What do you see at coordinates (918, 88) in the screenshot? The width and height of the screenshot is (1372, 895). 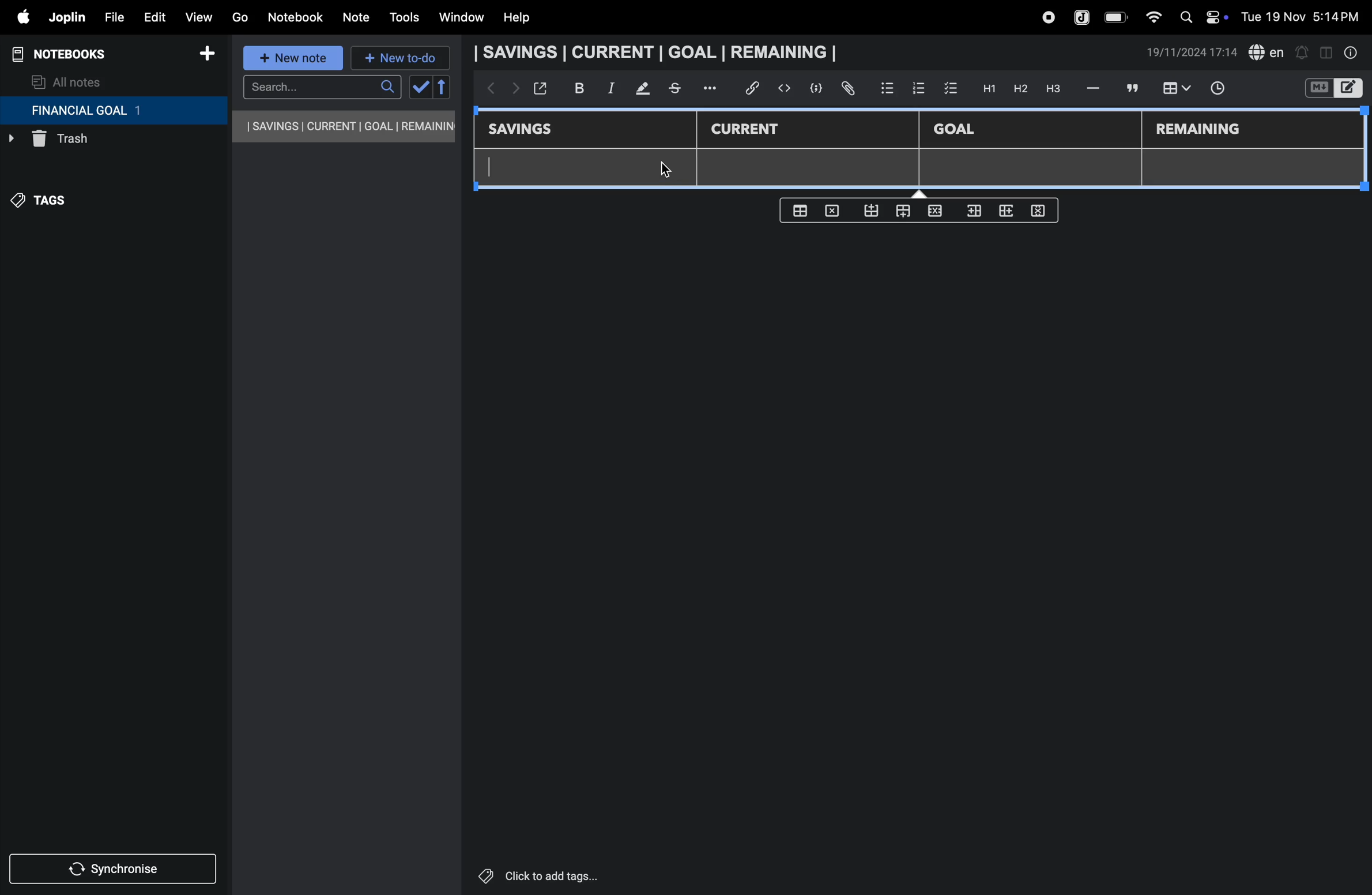 I see `numbered list` at bounding box center [918, 88].